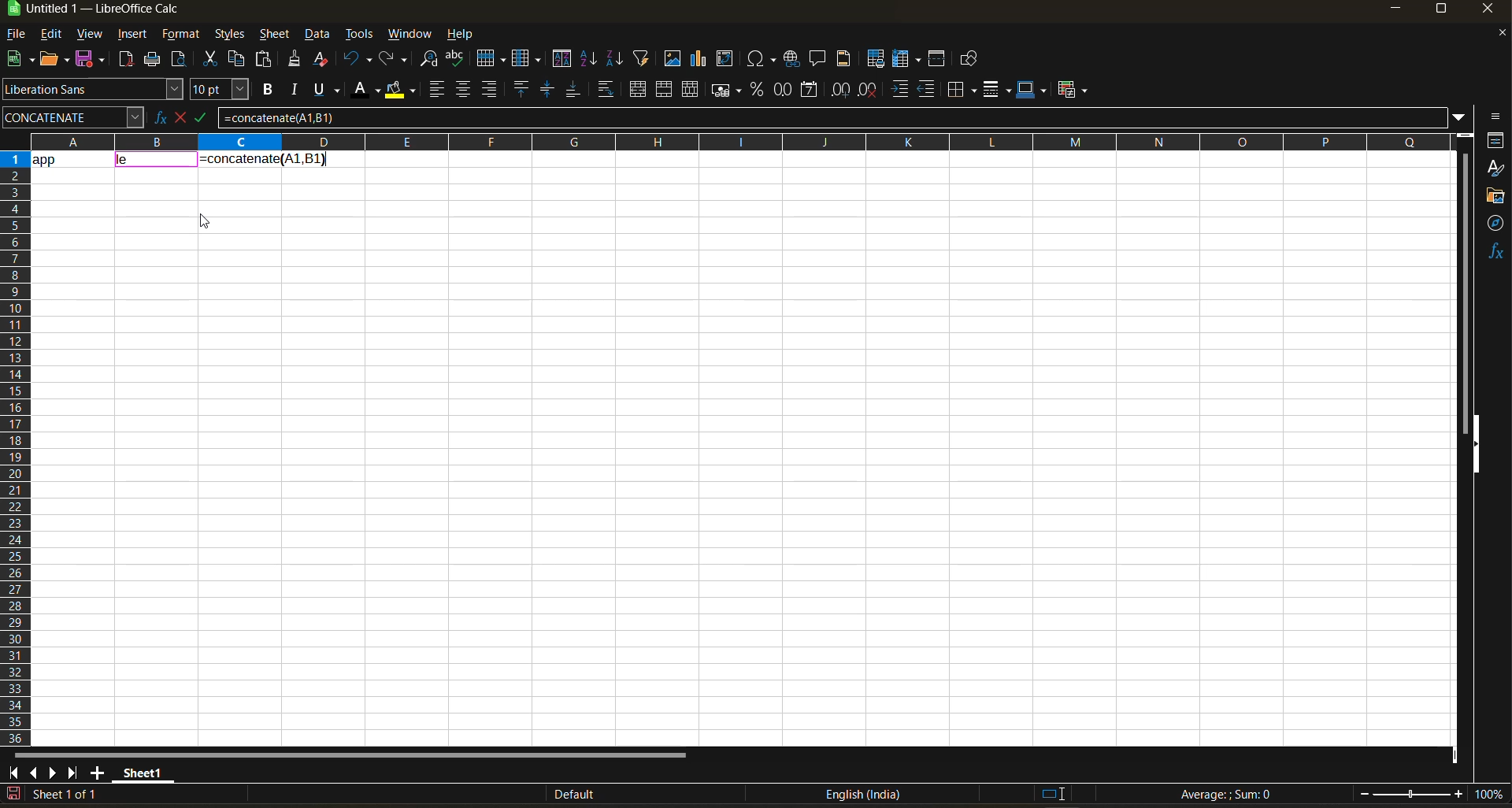  I want to click on function wizard, so click(155, 117).